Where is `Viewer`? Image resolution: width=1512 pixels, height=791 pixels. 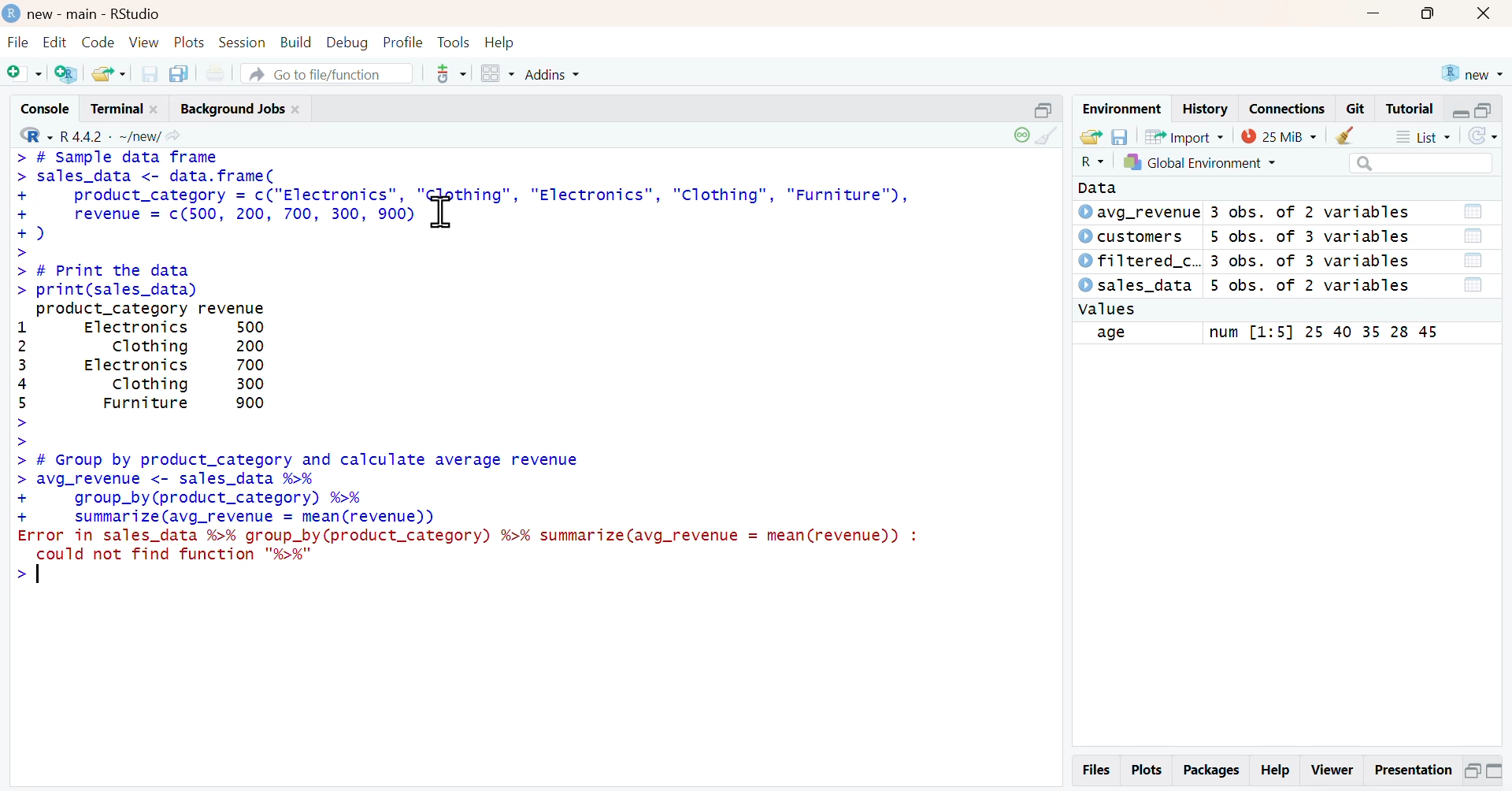
Viewer is located at coordinates (1333, 773).